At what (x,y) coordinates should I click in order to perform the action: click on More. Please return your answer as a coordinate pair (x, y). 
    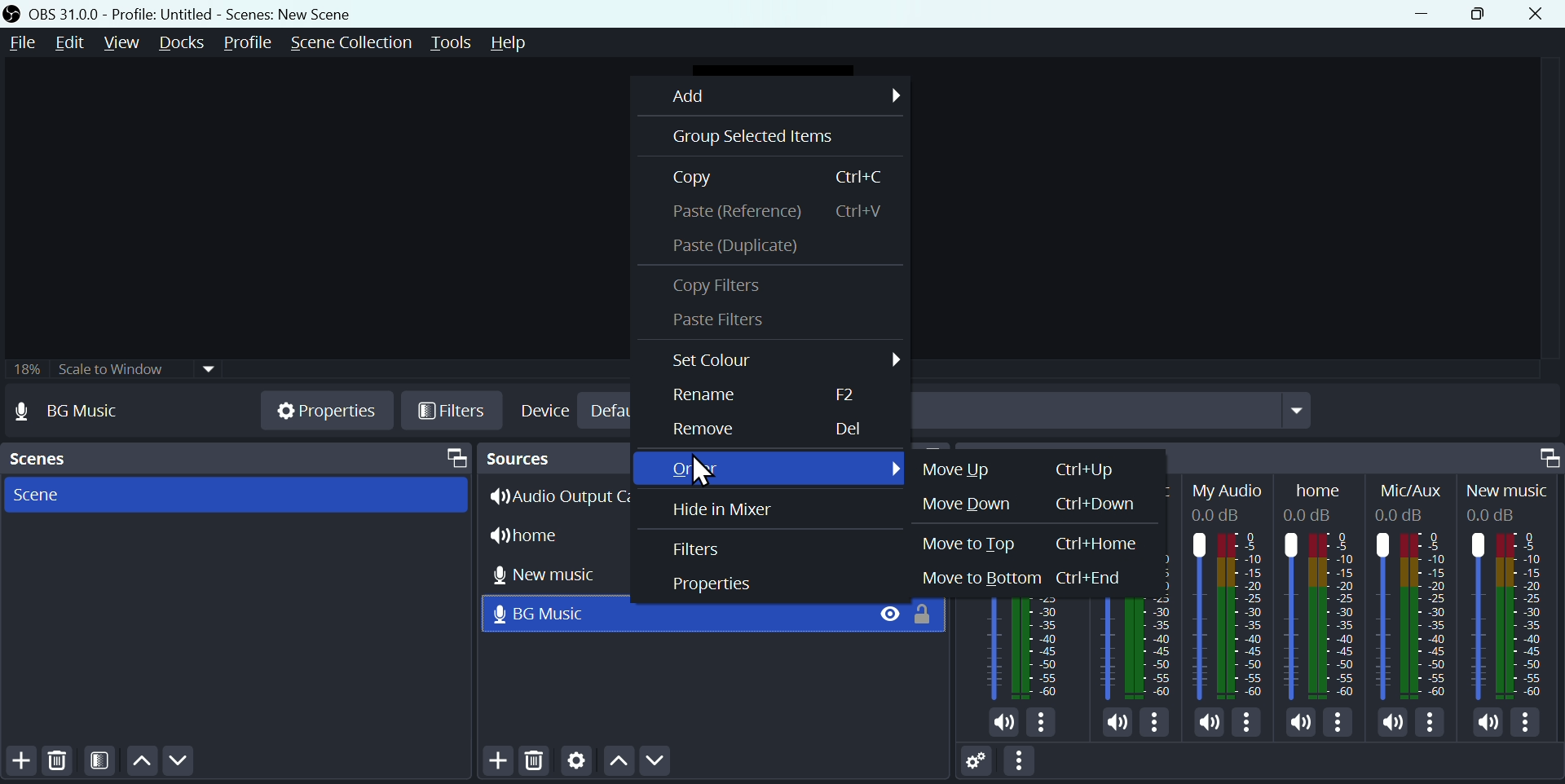
    Looking at the image, I should click on (1249, 724).